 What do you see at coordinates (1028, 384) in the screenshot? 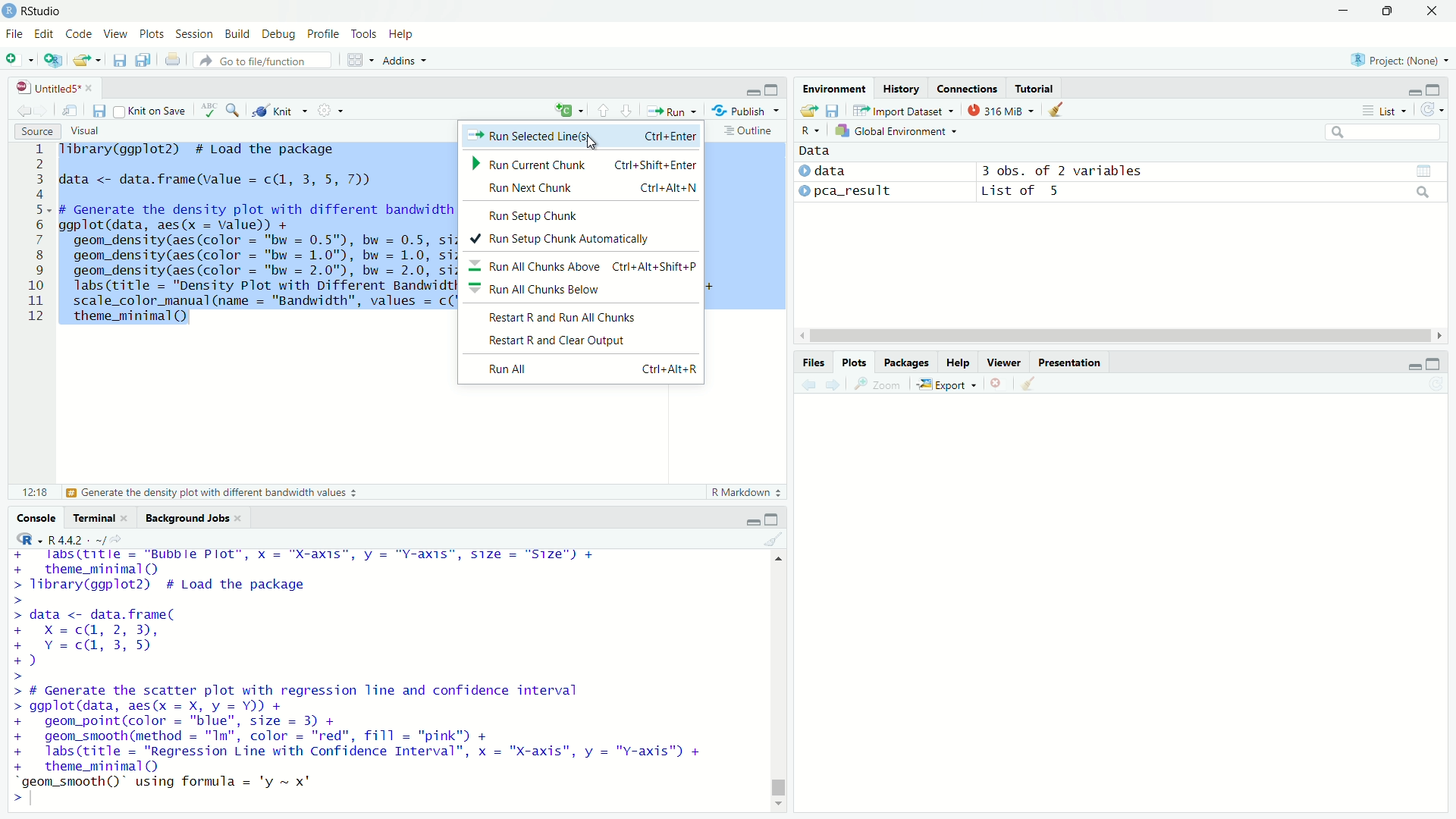
I see `Clear all plots` at bounding box center [1028, 384].